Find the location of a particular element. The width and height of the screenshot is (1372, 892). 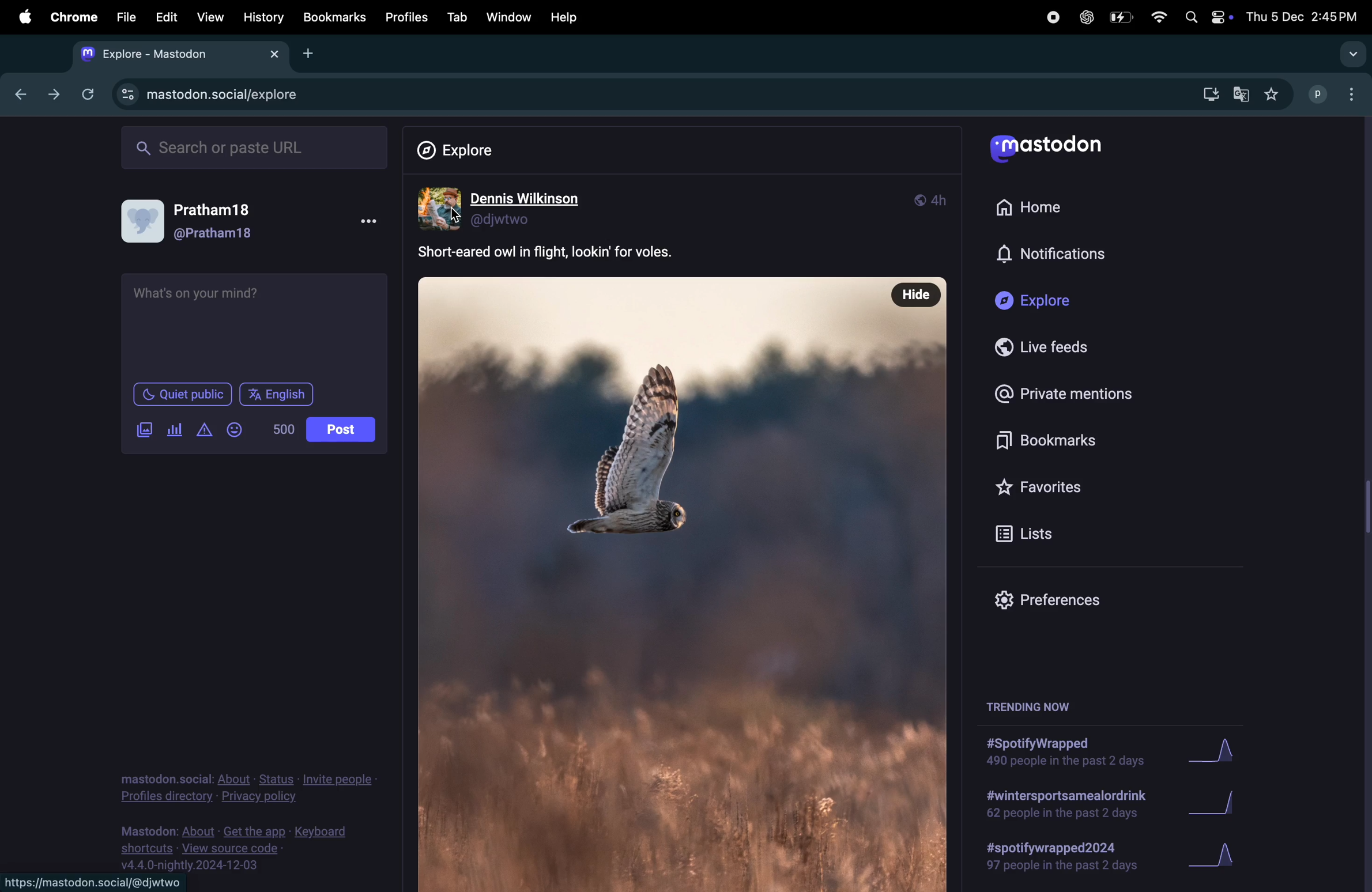

#wintersport is located at coordinates (1071, 806).